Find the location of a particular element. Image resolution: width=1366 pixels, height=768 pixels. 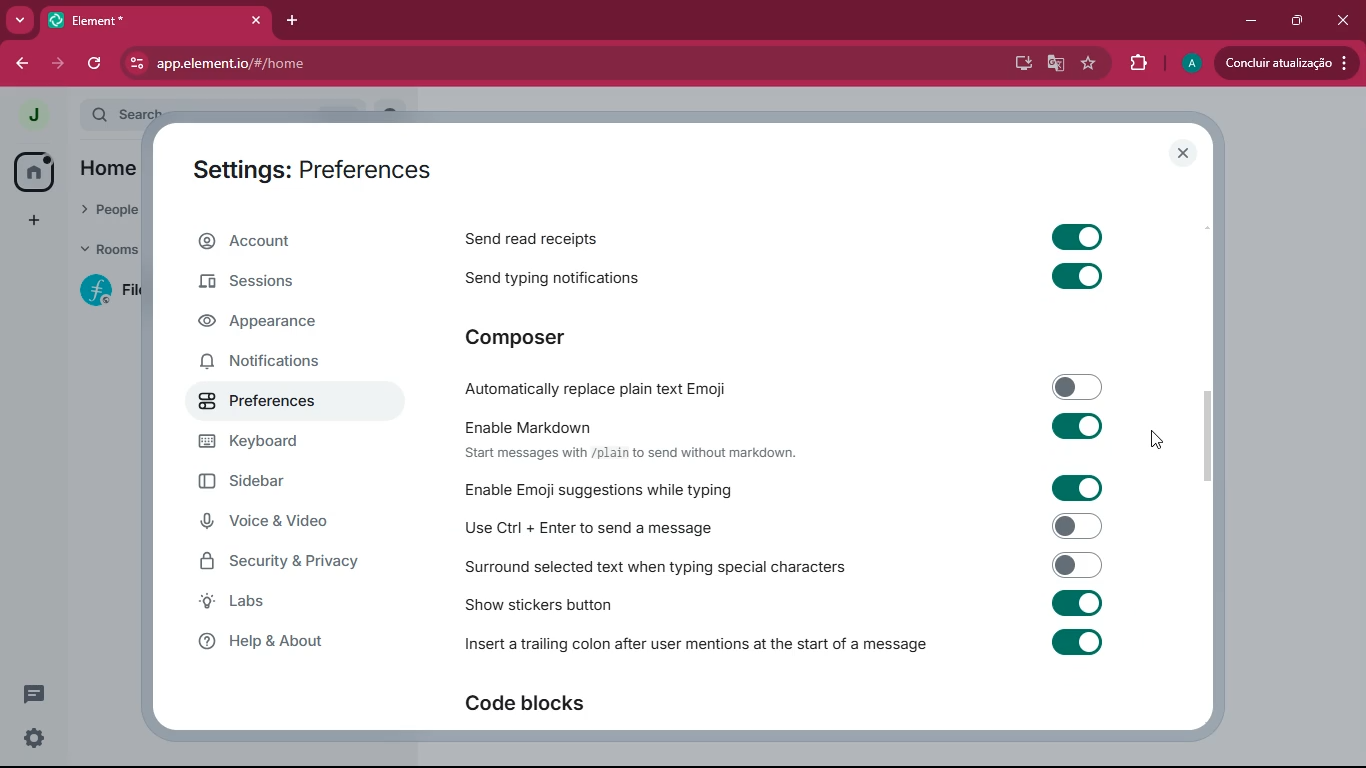

enable emoji is located at coordinates (600, 489).